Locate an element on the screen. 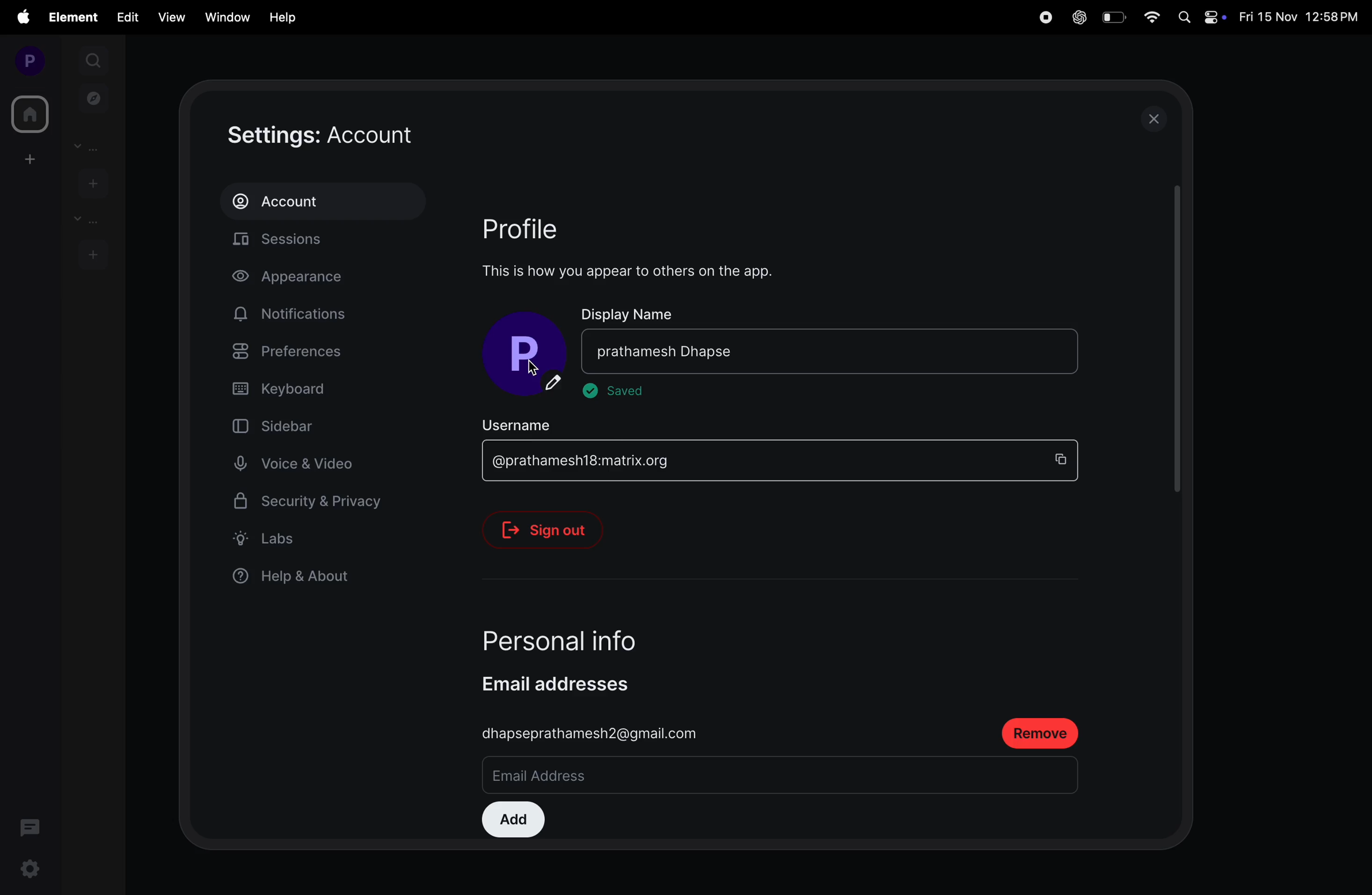  add is located at coordinates (513, 817).